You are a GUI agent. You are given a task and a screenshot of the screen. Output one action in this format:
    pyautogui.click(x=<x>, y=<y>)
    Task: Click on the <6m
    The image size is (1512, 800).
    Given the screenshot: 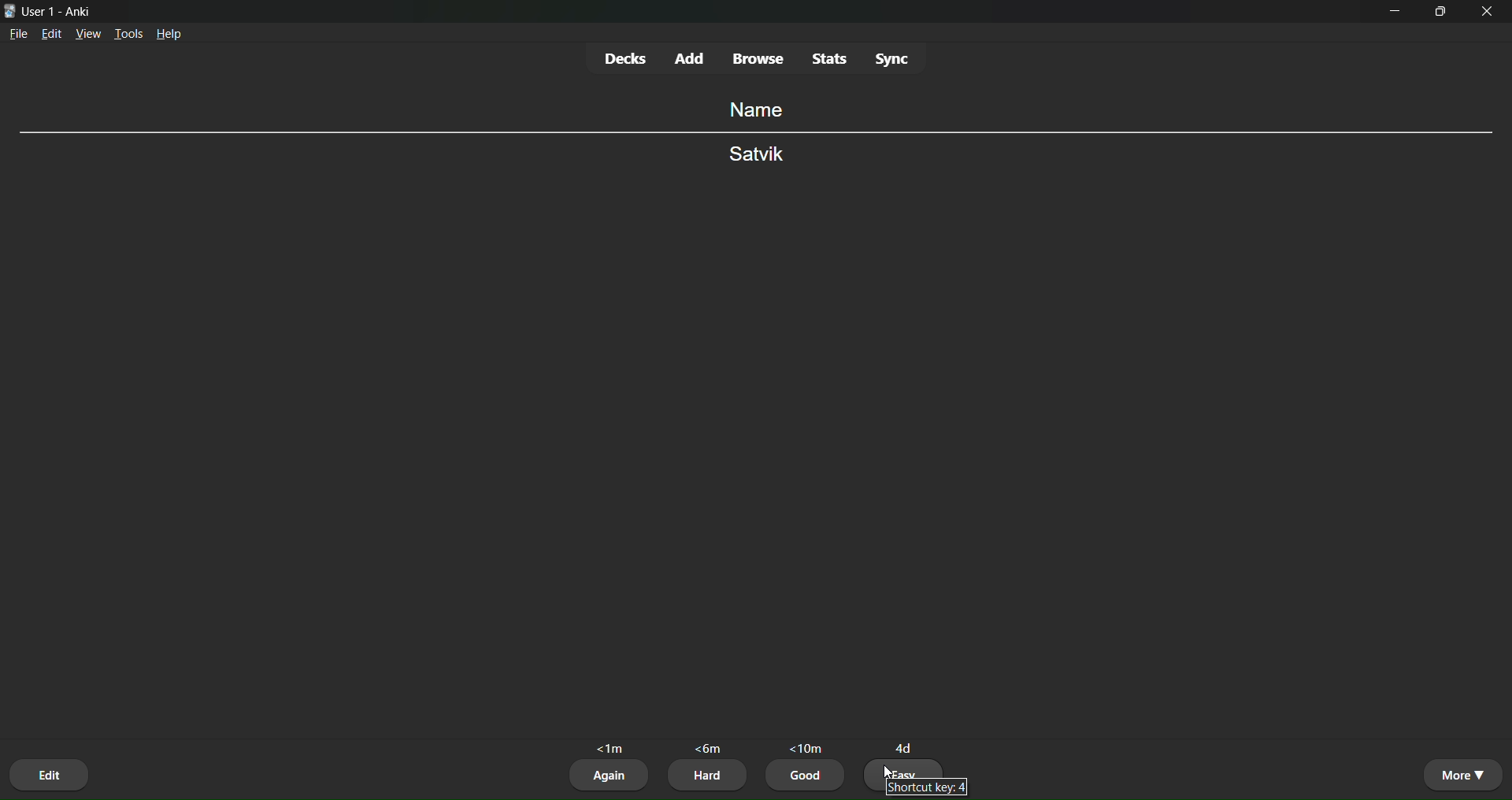 What is the action you would take?
    pyautogui.click(x=710, y=749)
    